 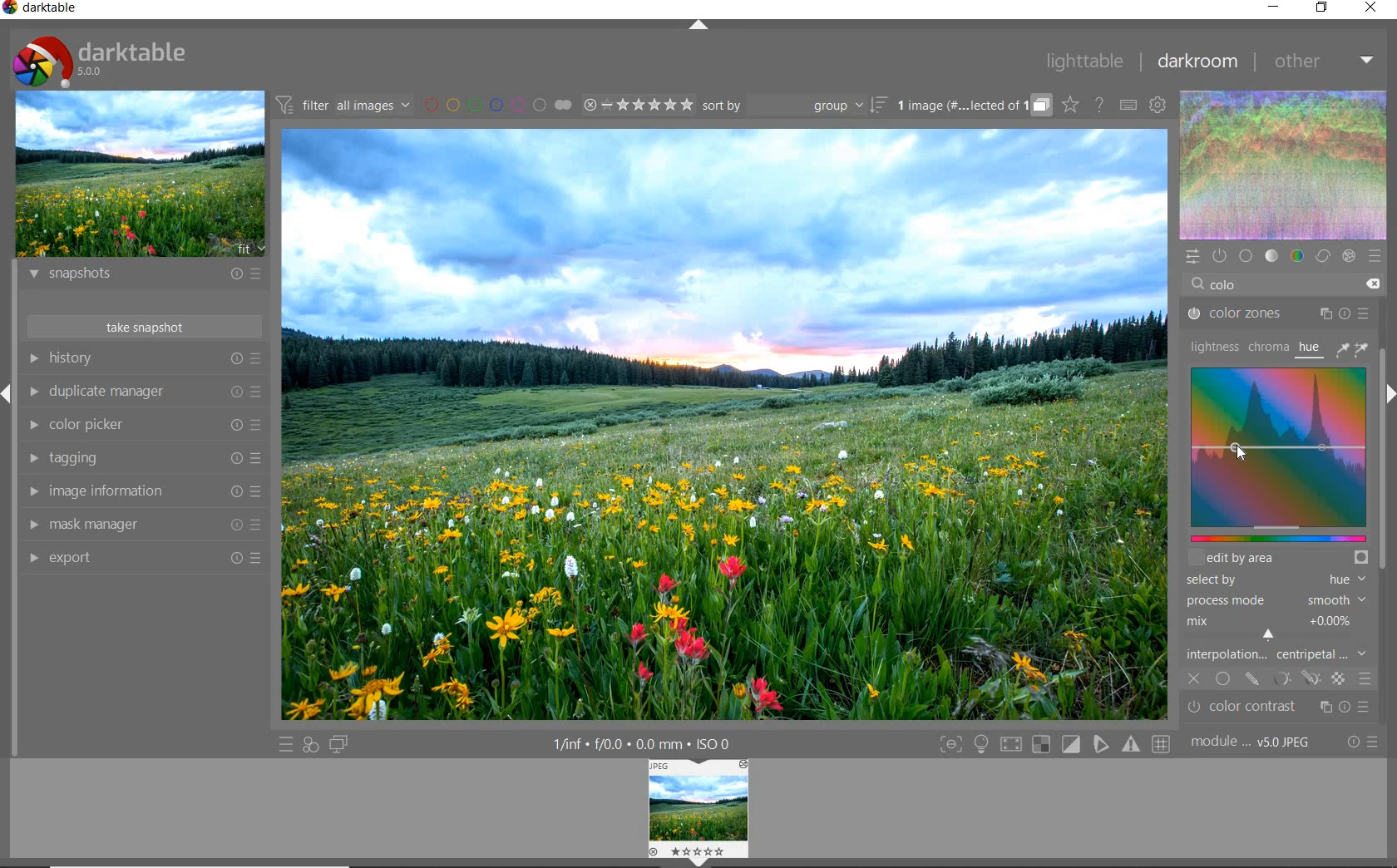 What do you see at coordinates (338, 743) in the screenshot?
I see `display a second darkroom image window` at bounding box center [338, 743].